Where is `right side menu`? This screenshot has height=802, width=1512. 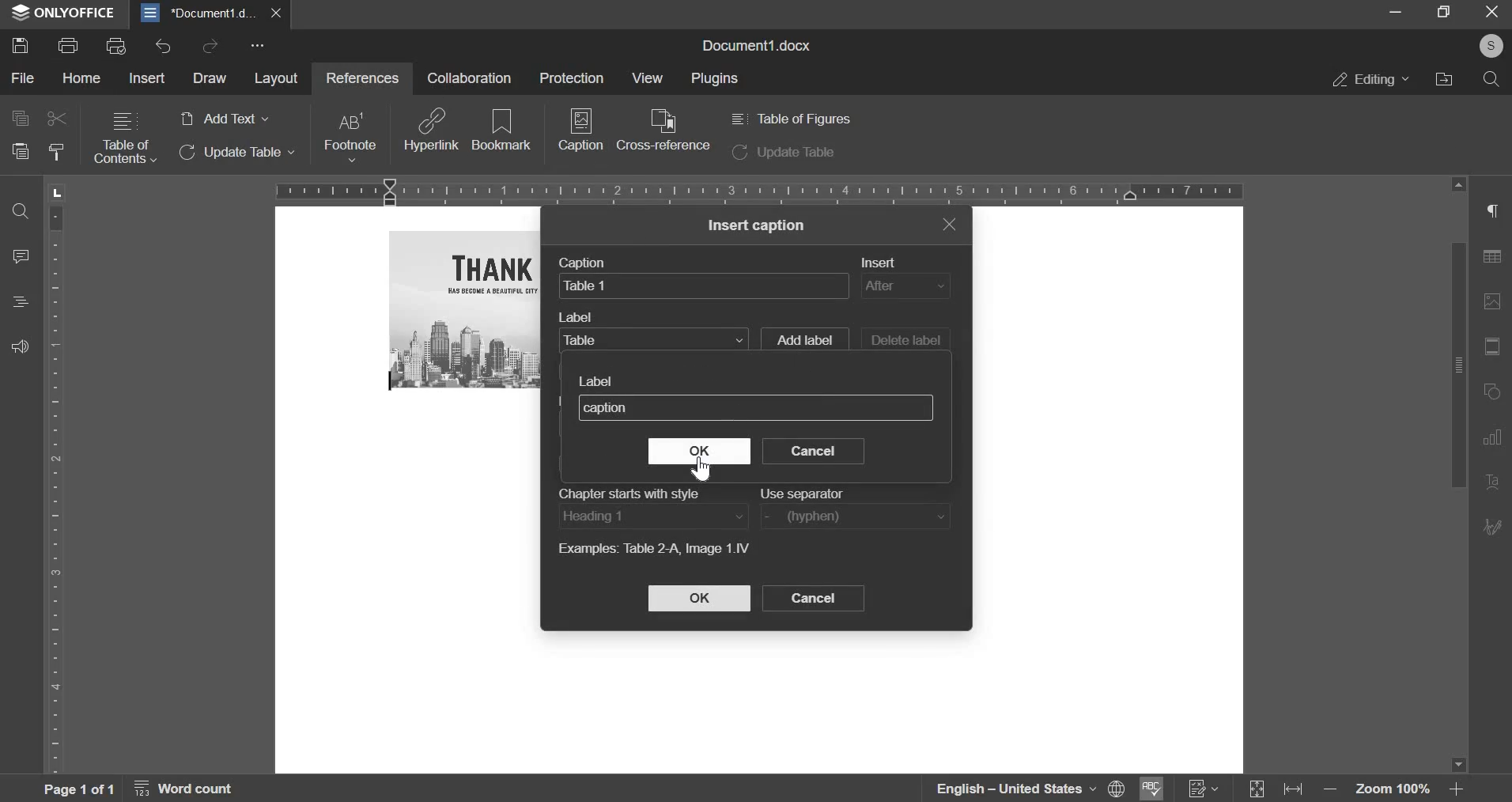 right side menu is located at coordinates (1495, 213).